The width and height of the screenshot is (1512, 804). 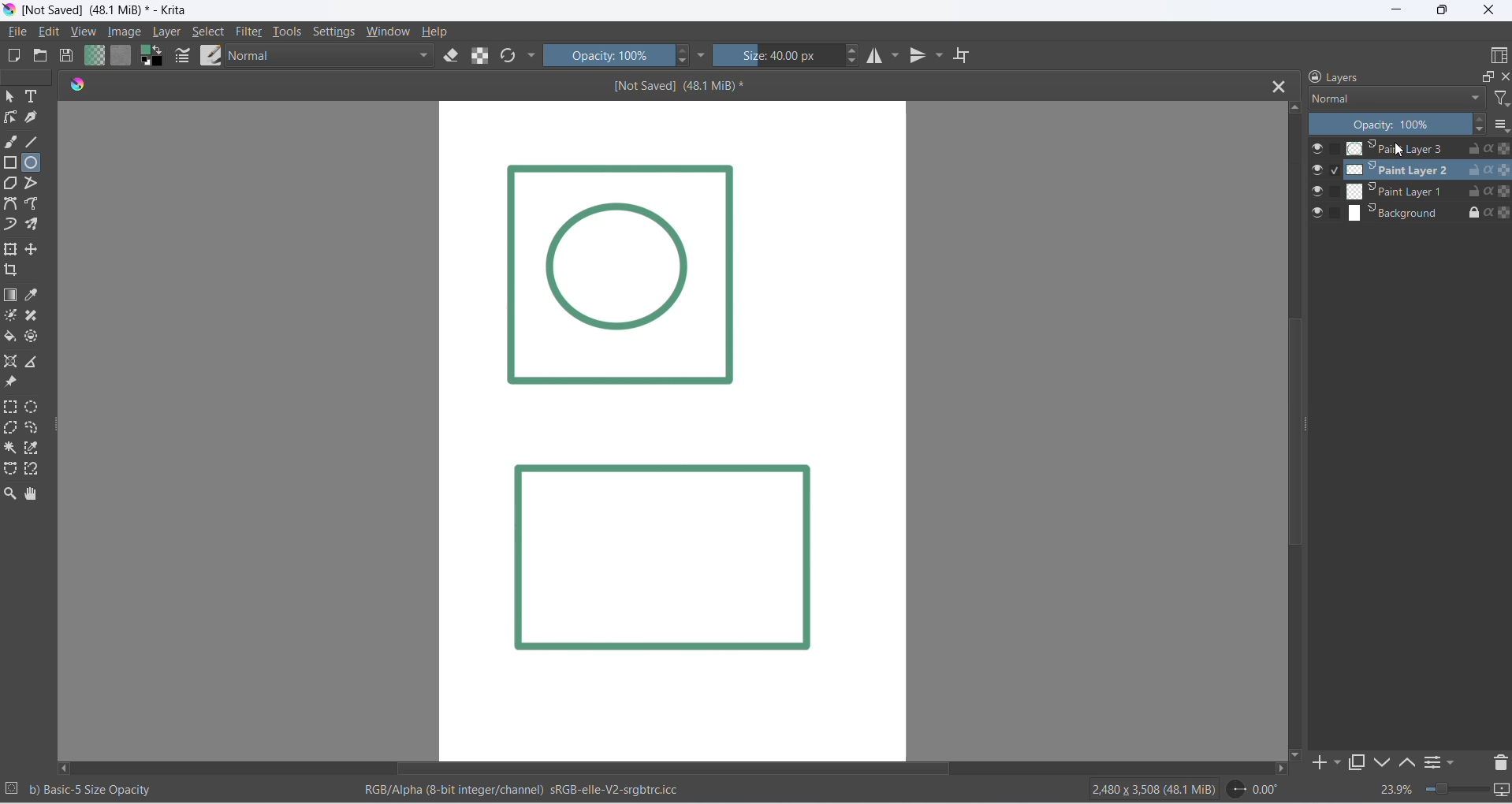 What do you see at coordinates (11, 362) in the screenshot?
I see `assistant tool` at bounding box center [11, 362].